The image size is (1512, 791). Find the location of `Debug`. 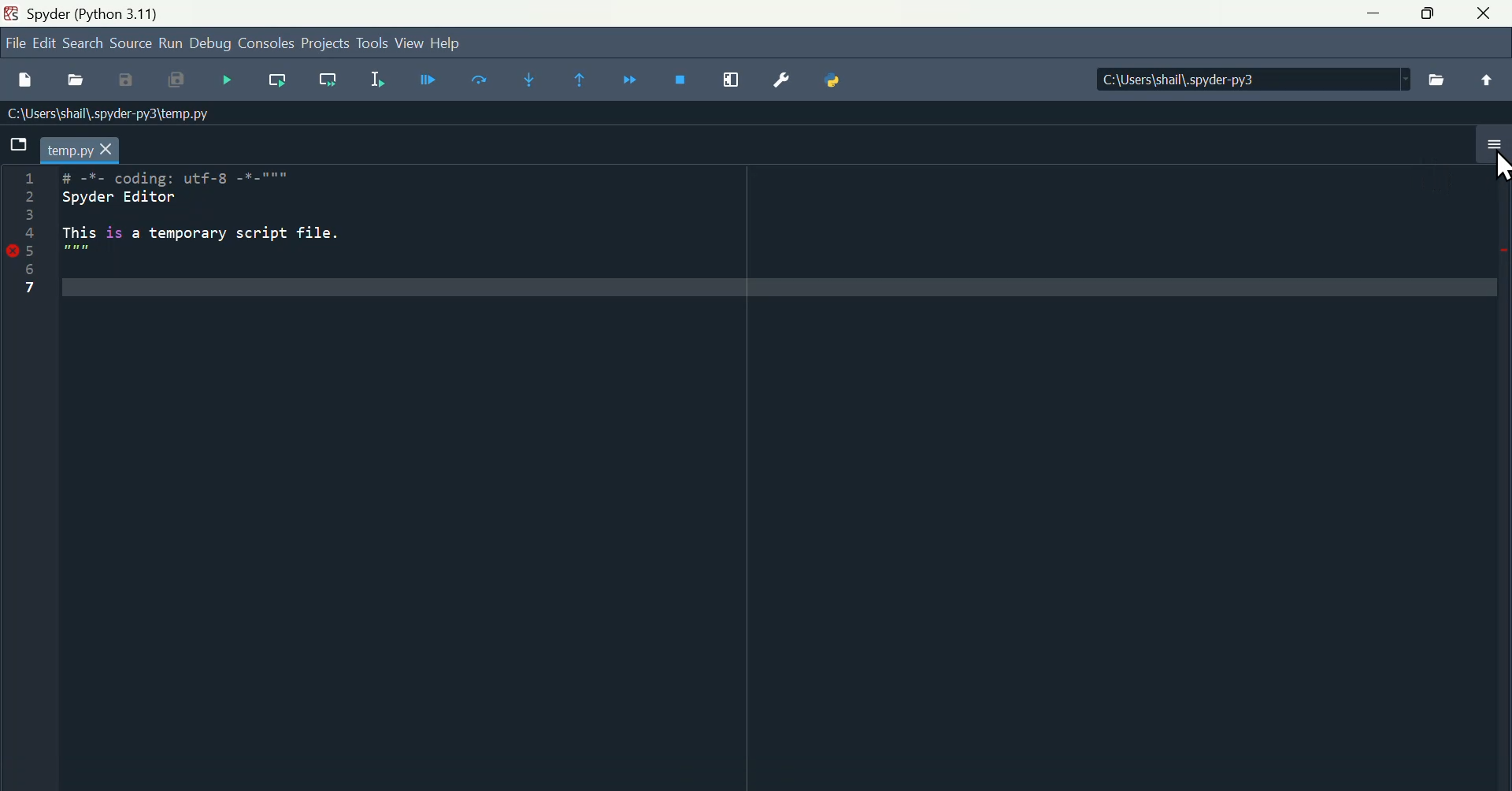

Debug is located at coordinates (215, 46).